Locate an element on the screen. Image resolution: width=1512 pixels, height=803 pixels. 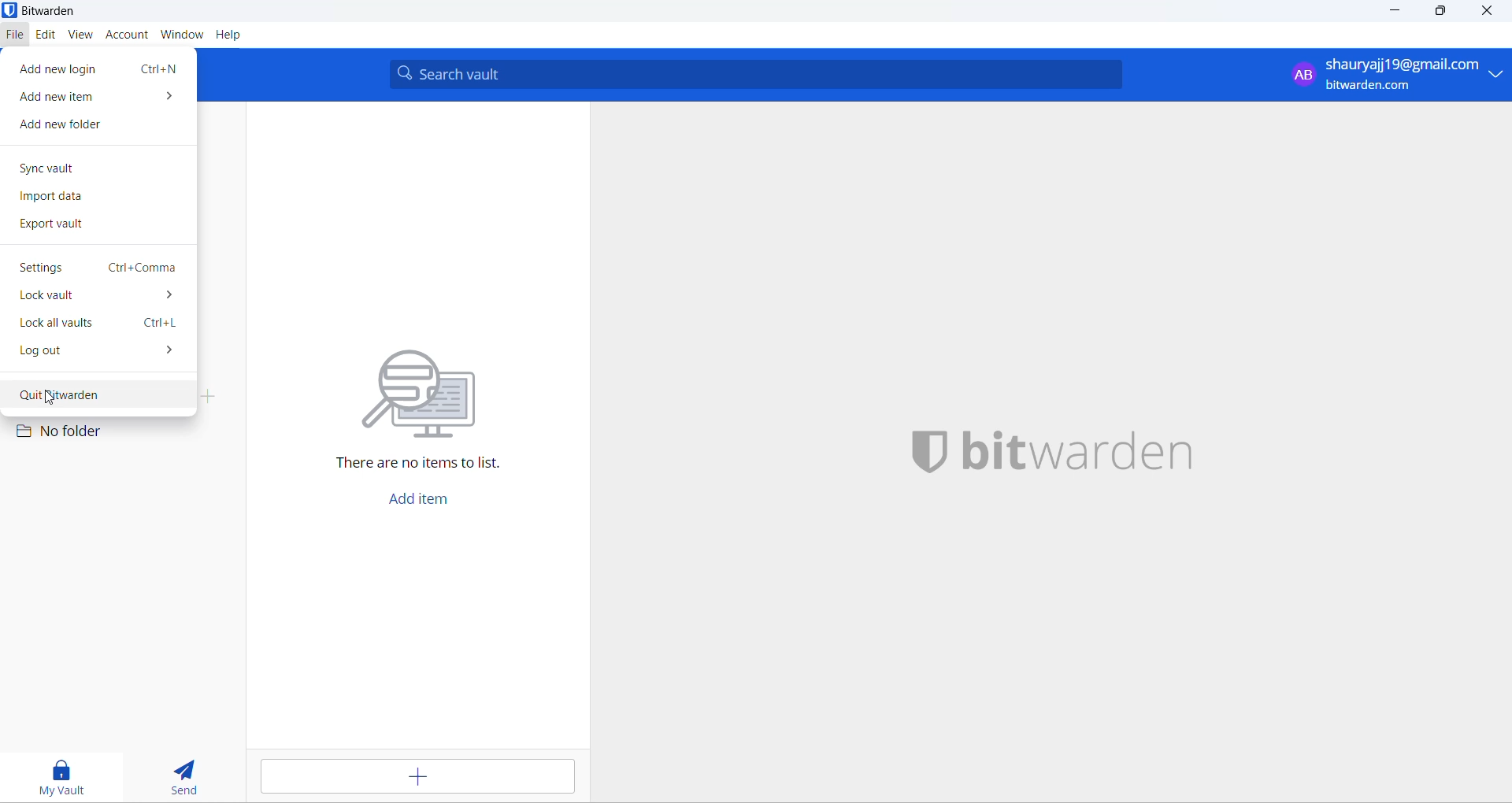
view is located at coordinates (80, 37).